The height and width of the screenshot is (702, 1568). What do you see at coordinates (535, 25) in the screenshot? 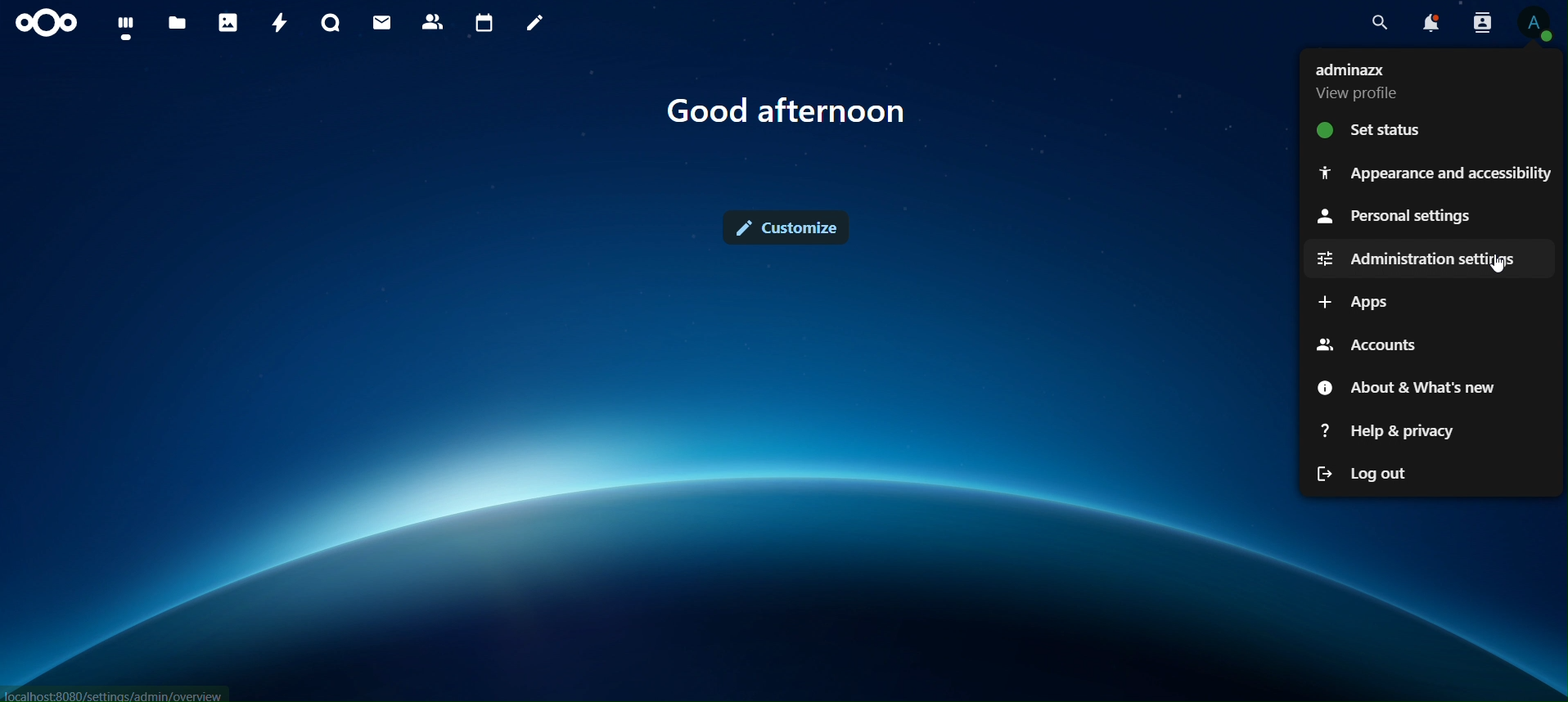
I see `notes` at bounding box center [535, 25].